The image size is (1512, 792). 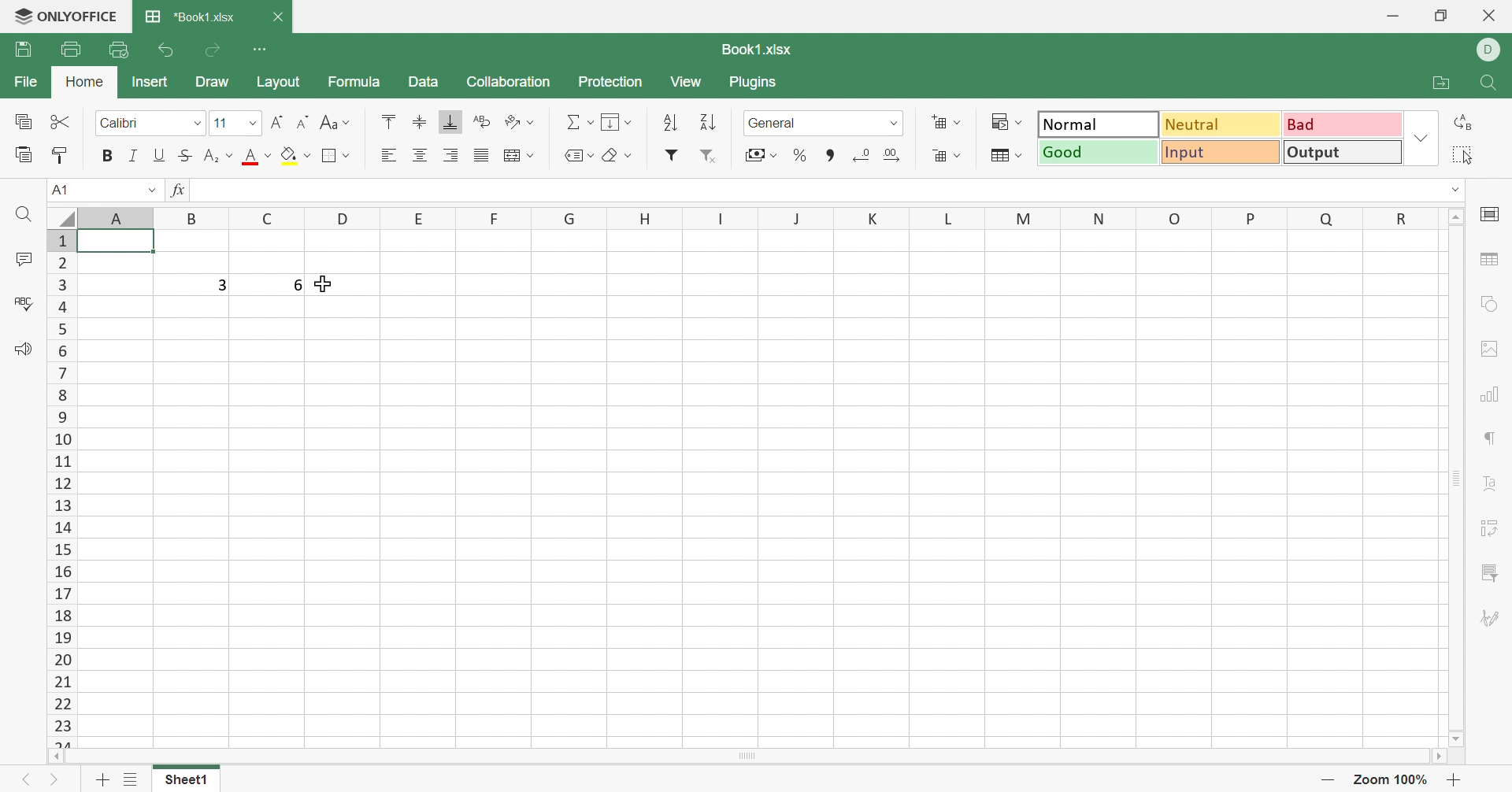 What do you see at coordinates (1007, 123) in the screenshot?
I see `Conditional formatting` at bounding box center [1007, 123].